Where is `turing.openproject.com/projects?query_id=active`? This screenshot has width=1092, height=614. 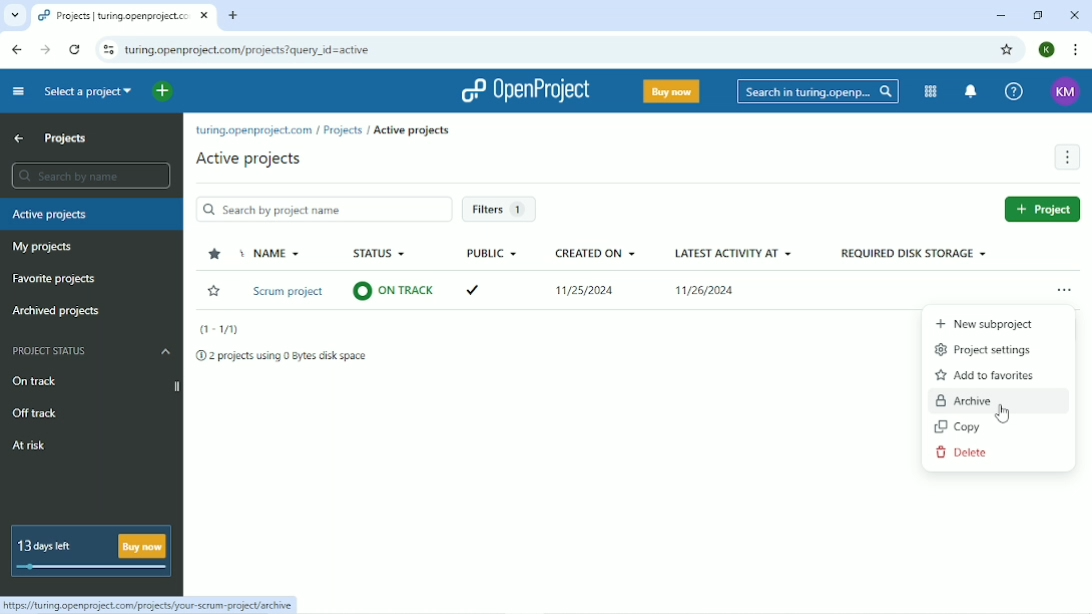
turing.openproject.com/projects?query_id=active is located at coordinates (263, 51).